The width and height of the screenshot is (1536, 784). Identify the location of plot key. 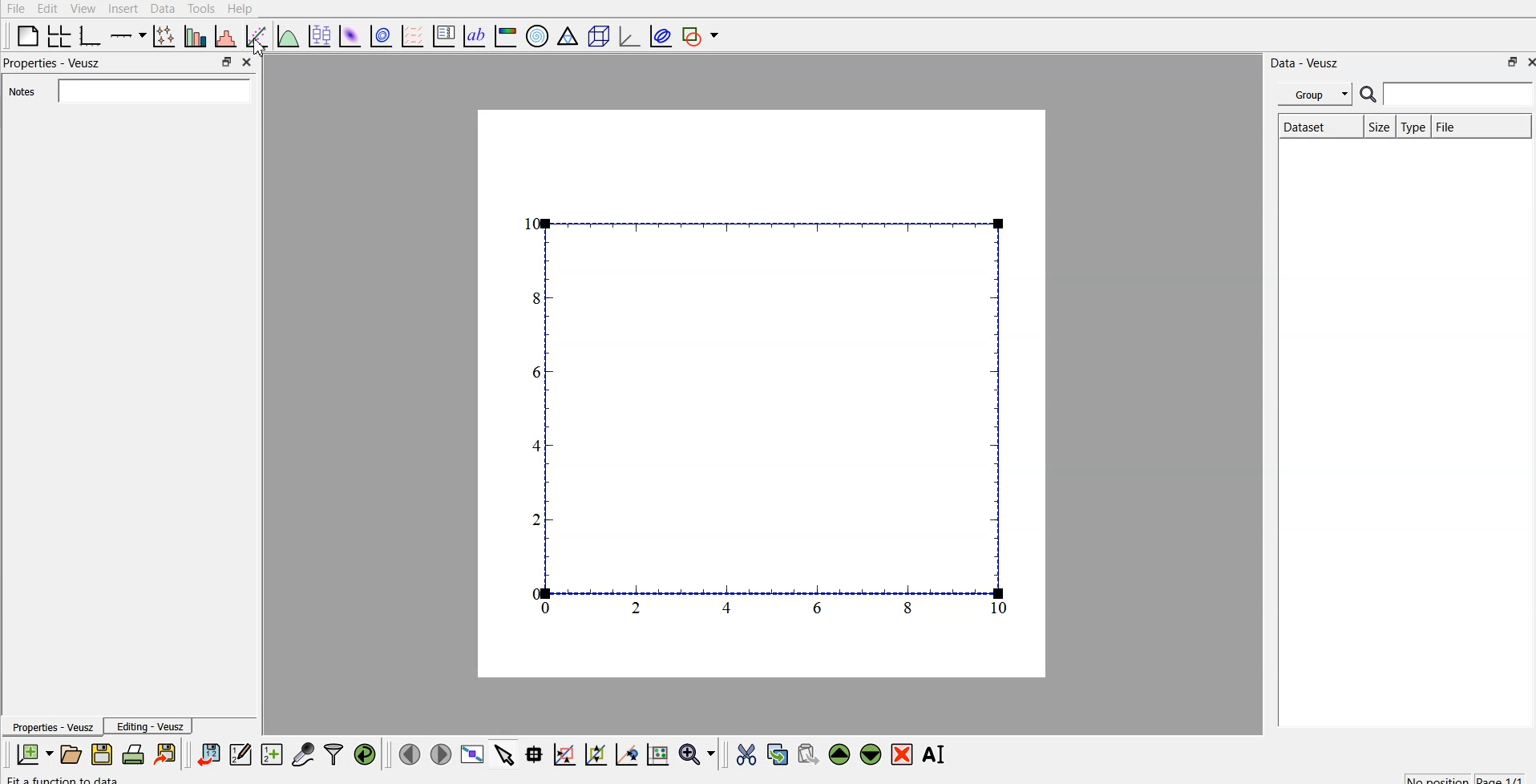
(446, 36).